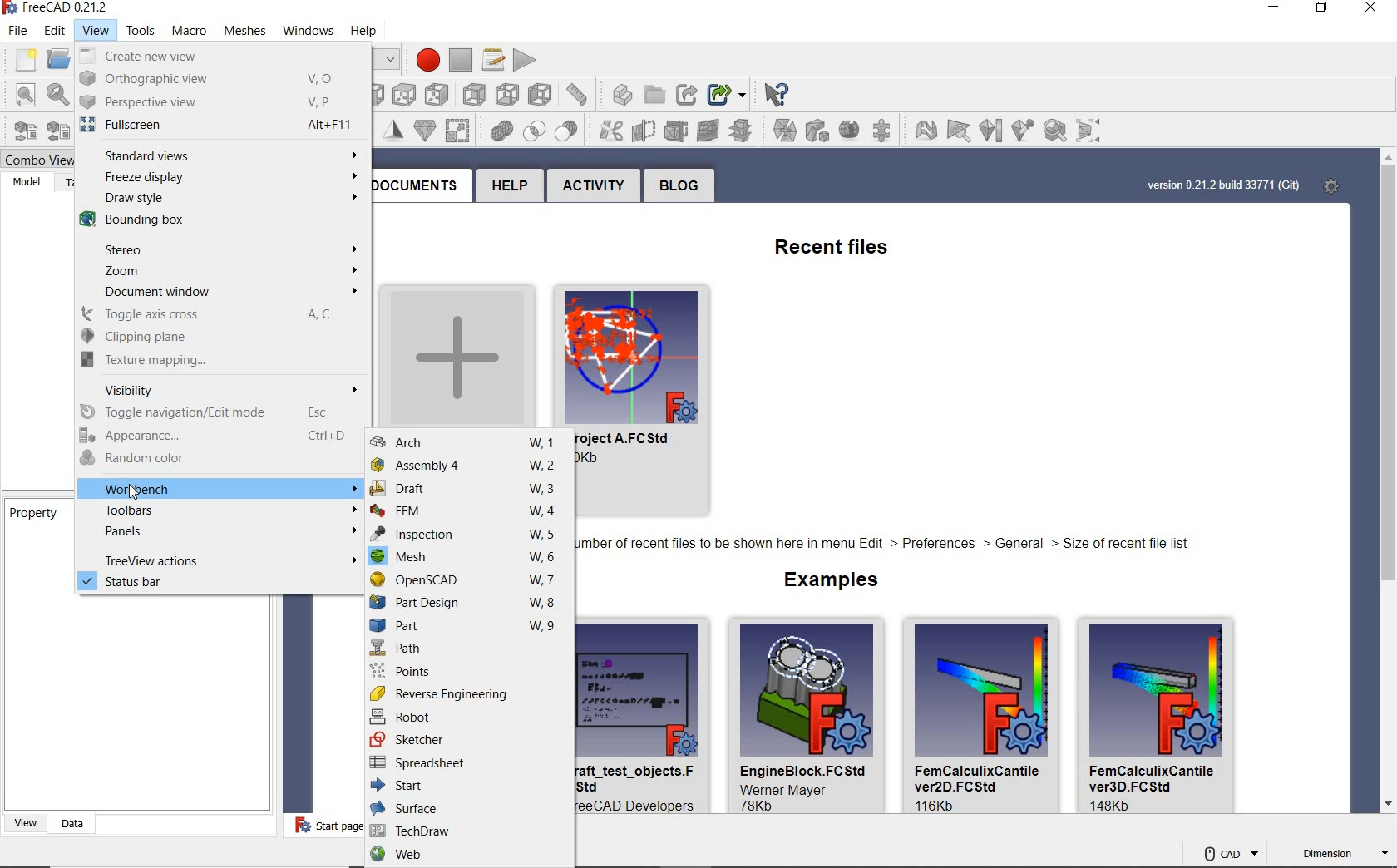 The image size is (1397, 868). What do you see at coordinates (22, 823) in the screenshot?
I see `view` at bounding box center [22, 823].